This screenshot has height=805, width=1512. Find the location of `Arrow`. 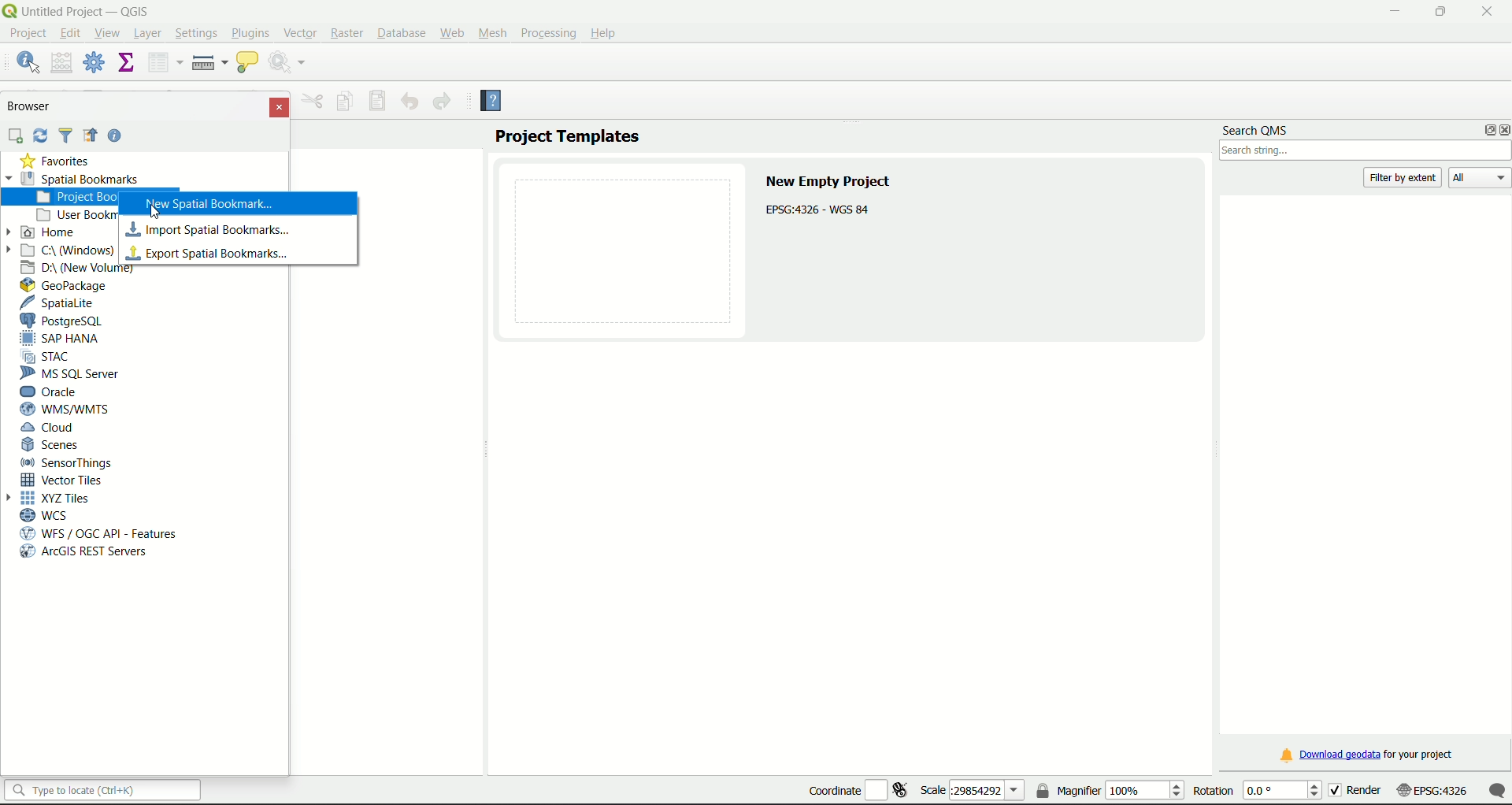

Arrow is located at coordinates (13, 499).